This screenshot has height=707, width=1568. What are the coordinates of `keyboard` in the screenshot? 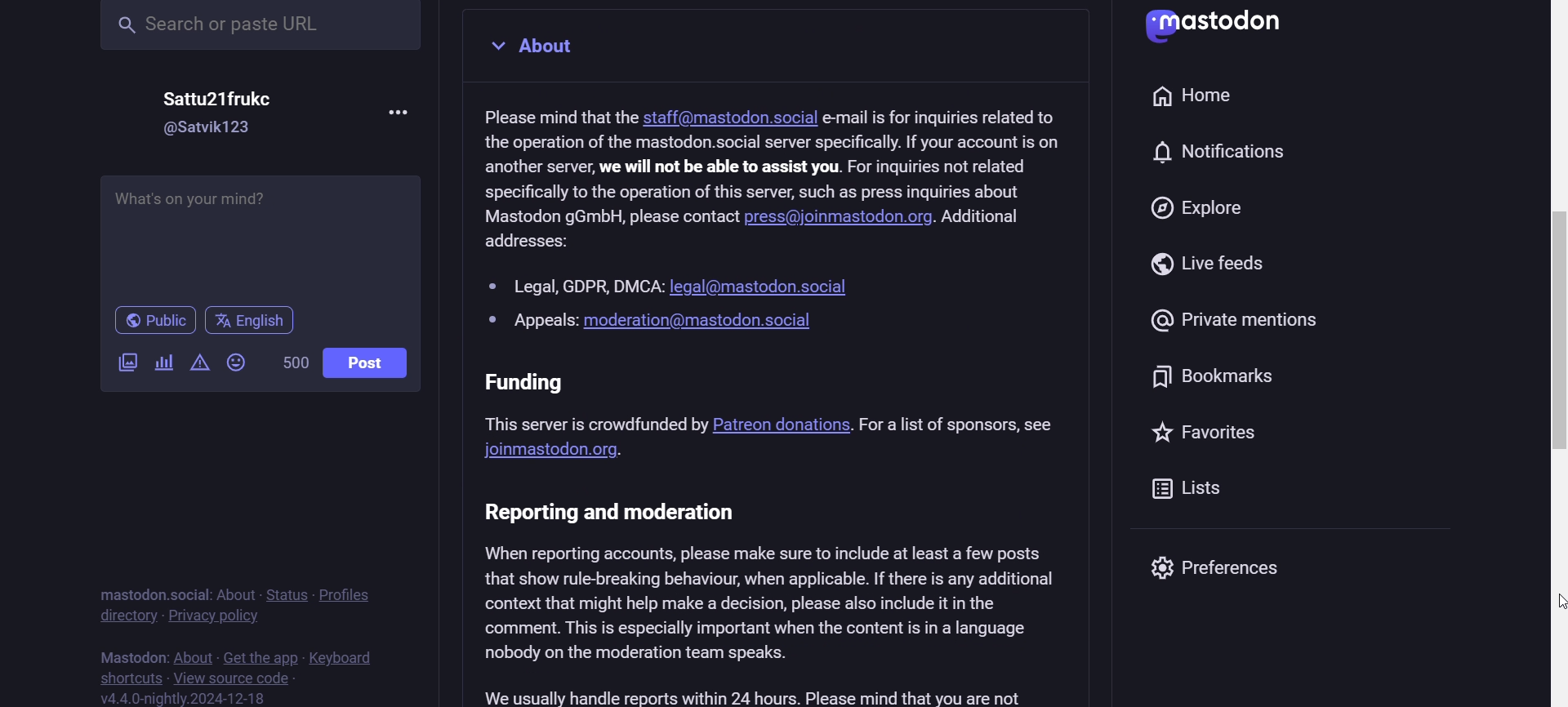 It's located at (350, 657).